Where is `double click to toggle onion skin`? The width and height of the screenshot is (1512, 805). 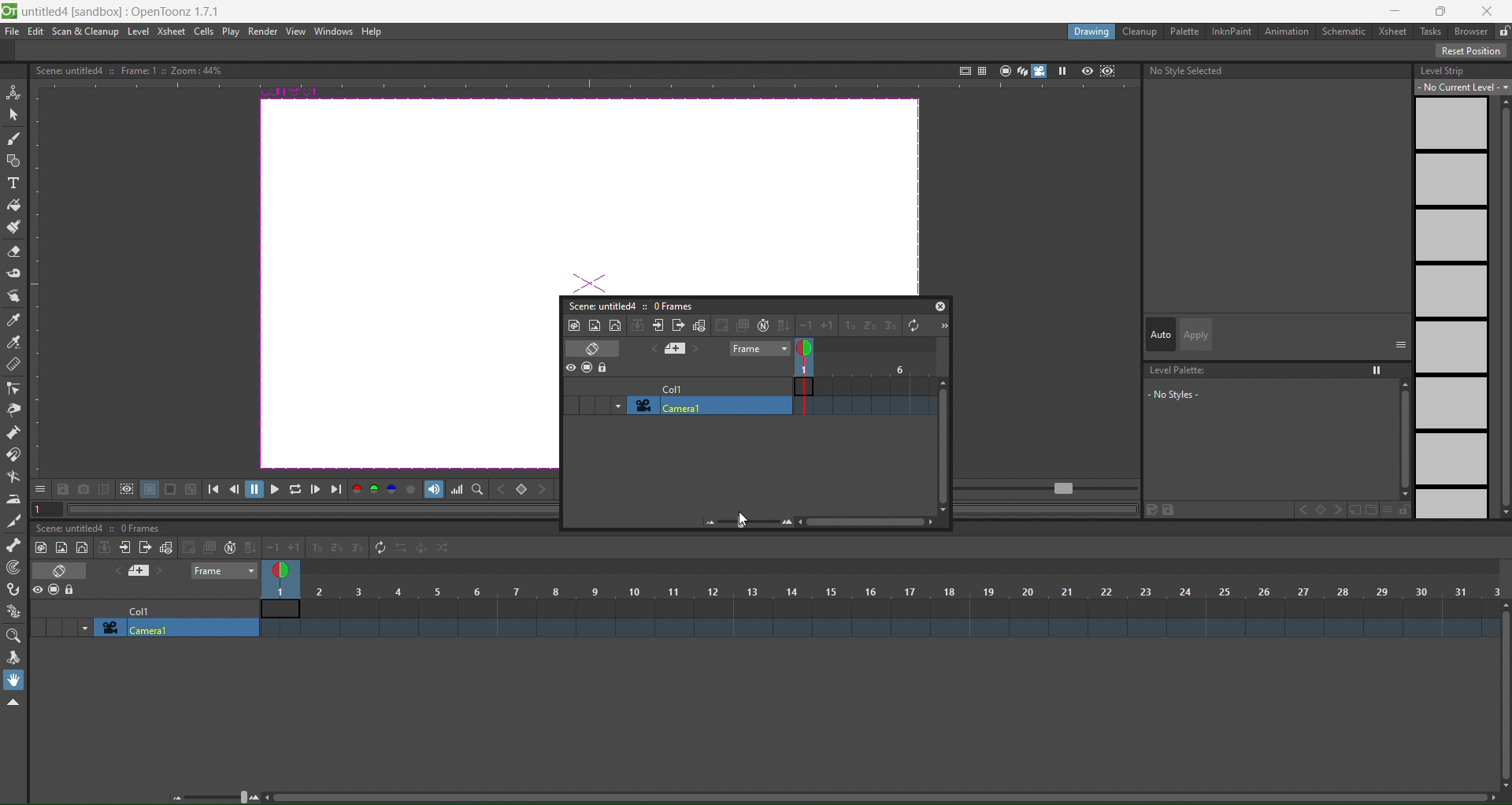
double click to toggle onion skin is located at coordinates (286, 568).